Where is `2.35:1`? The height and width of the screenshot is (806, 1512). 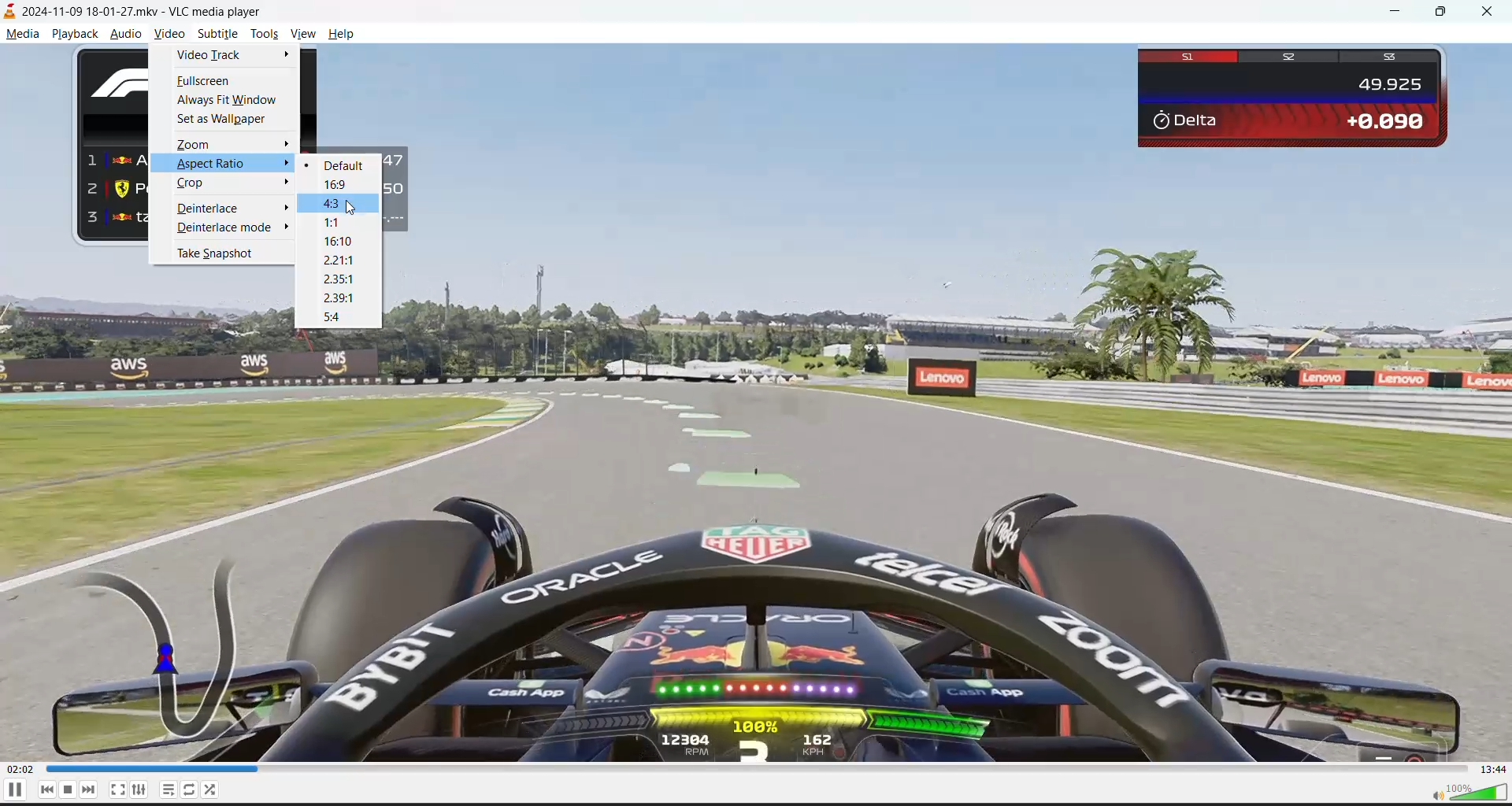
2.35:1 is located at coordinates (339, 280).